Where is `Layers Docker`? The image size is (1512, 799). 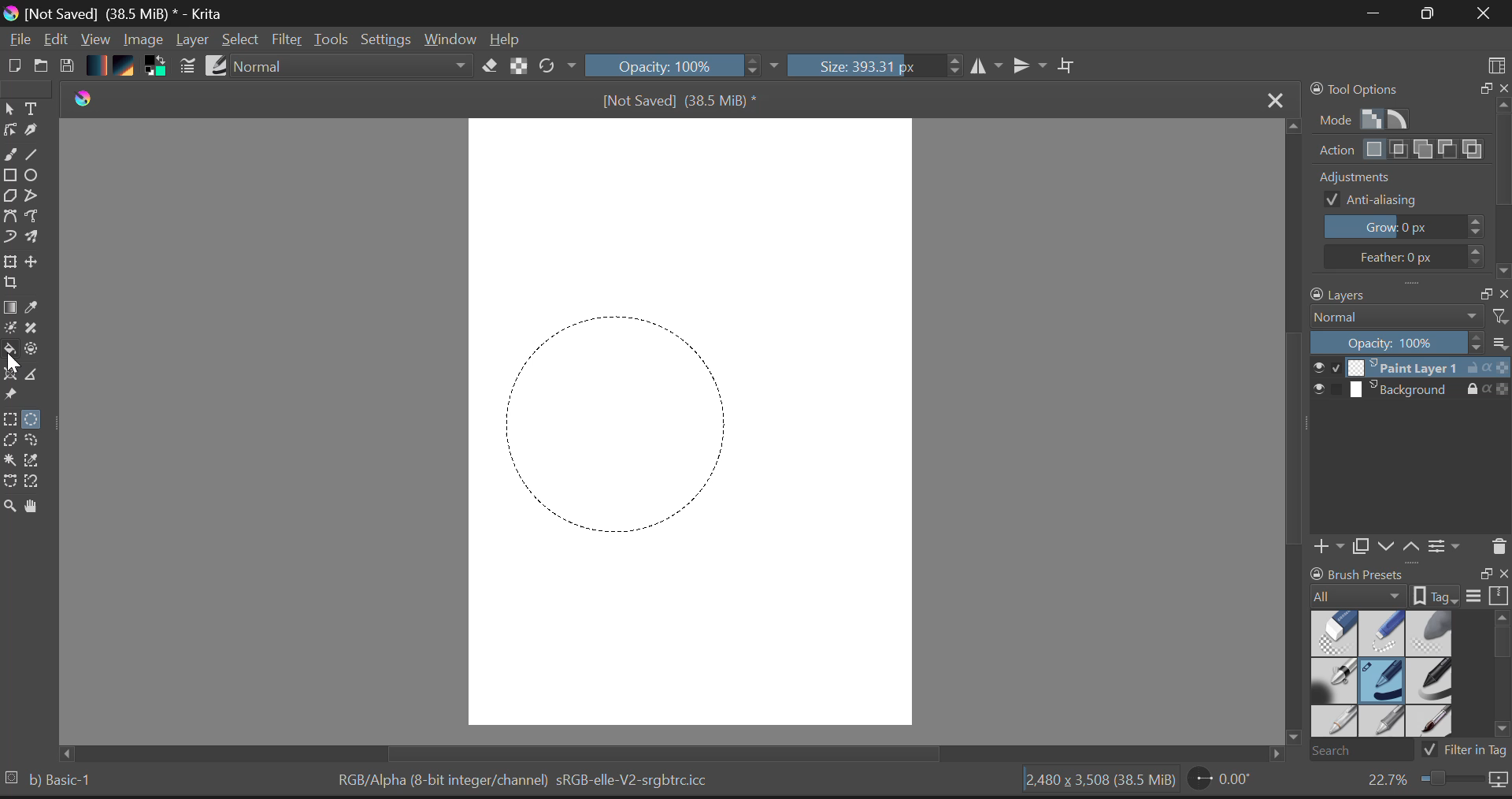 Layers Docker is located at coordinates (1403, 423).